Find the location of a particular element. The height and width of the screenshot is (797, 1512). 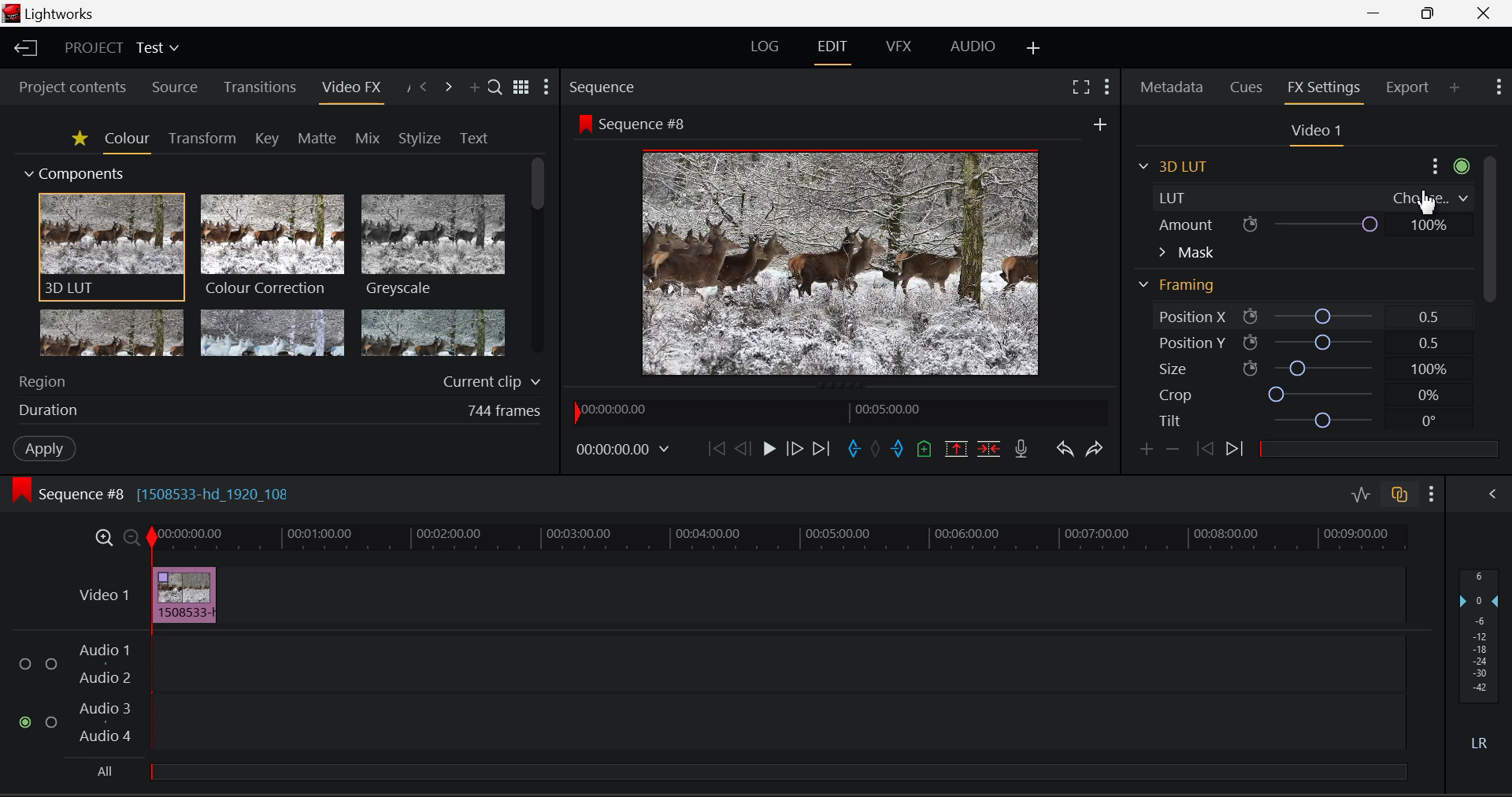

Framing Section is located at coordinates (1180, 287).